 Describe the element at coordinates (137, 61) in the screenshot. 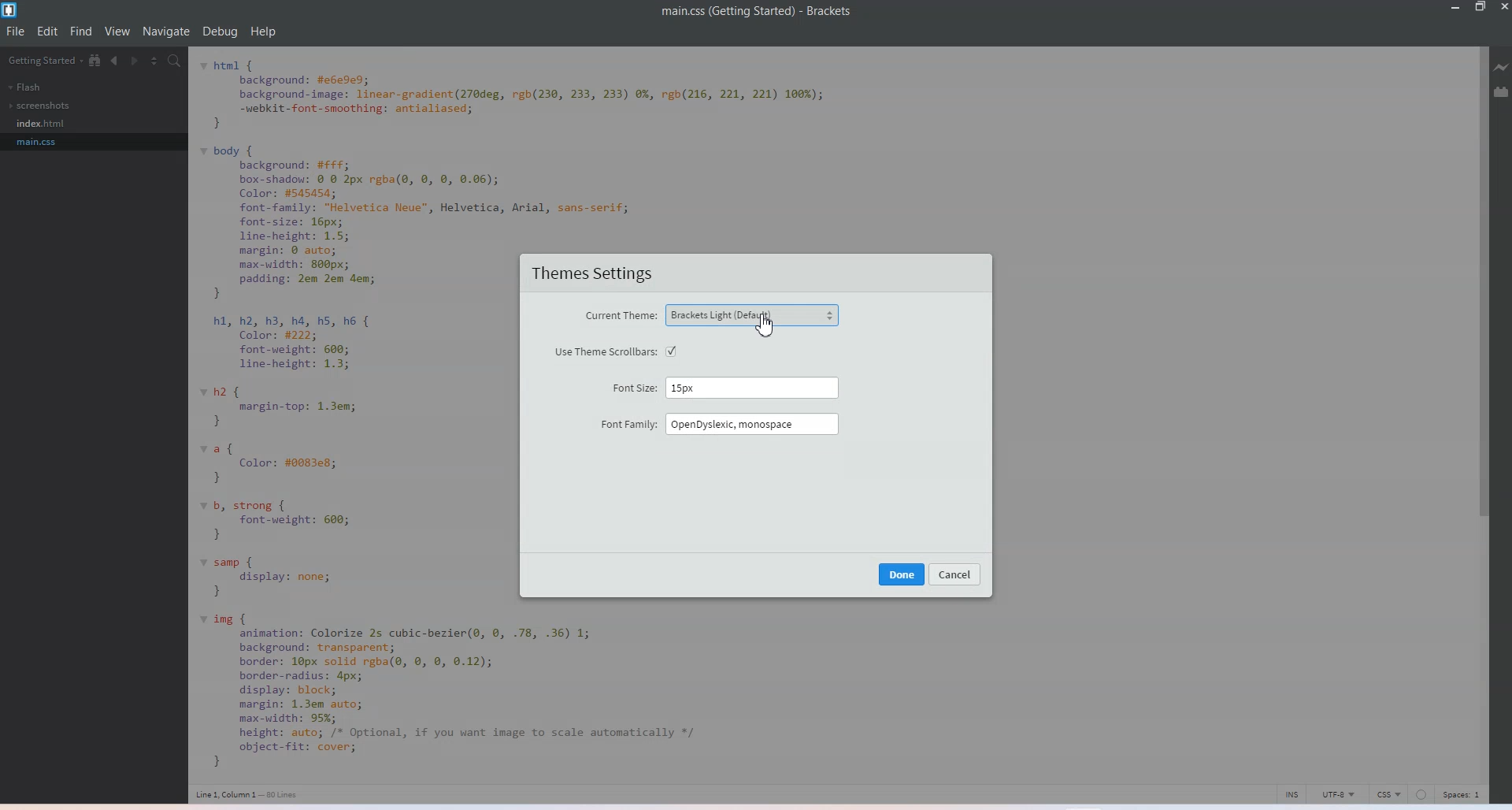

I see `Navigate Forward` at that location.